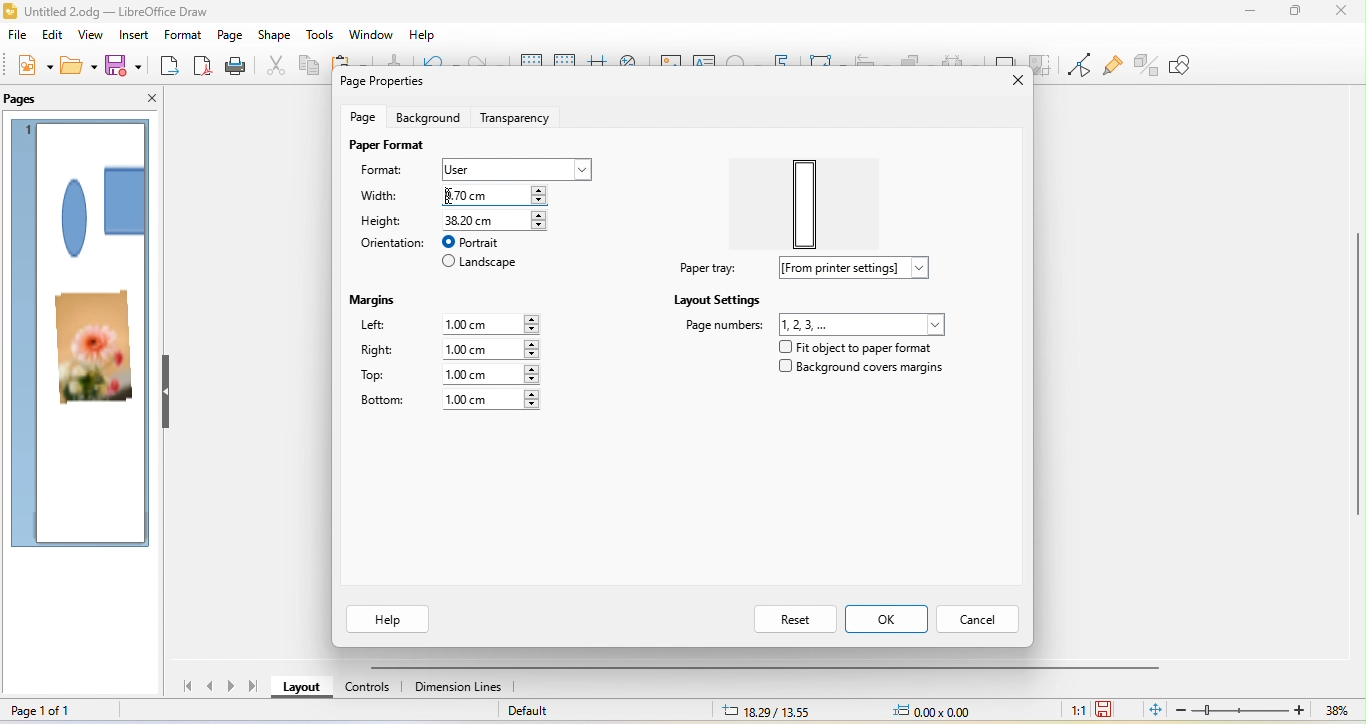  Describe the element at coordinates (366, 117) in the screenshot. I see `page` at that location.